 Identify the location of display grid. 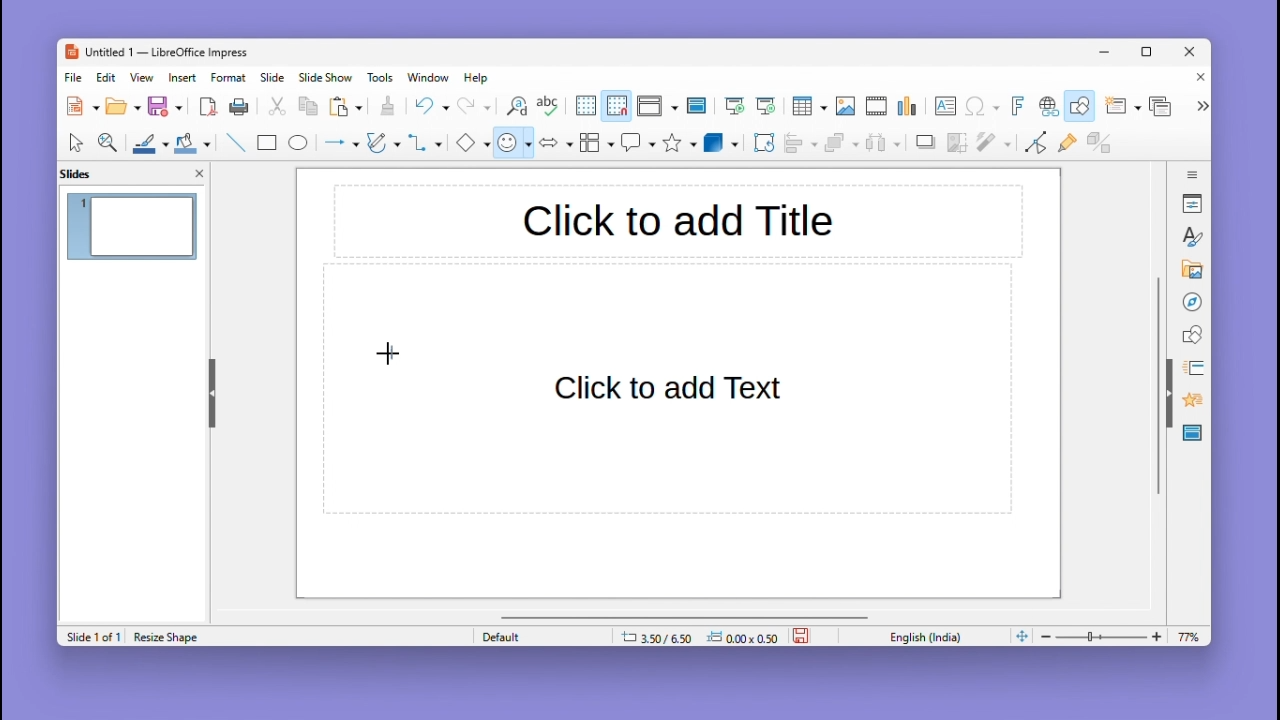
(584, 107).